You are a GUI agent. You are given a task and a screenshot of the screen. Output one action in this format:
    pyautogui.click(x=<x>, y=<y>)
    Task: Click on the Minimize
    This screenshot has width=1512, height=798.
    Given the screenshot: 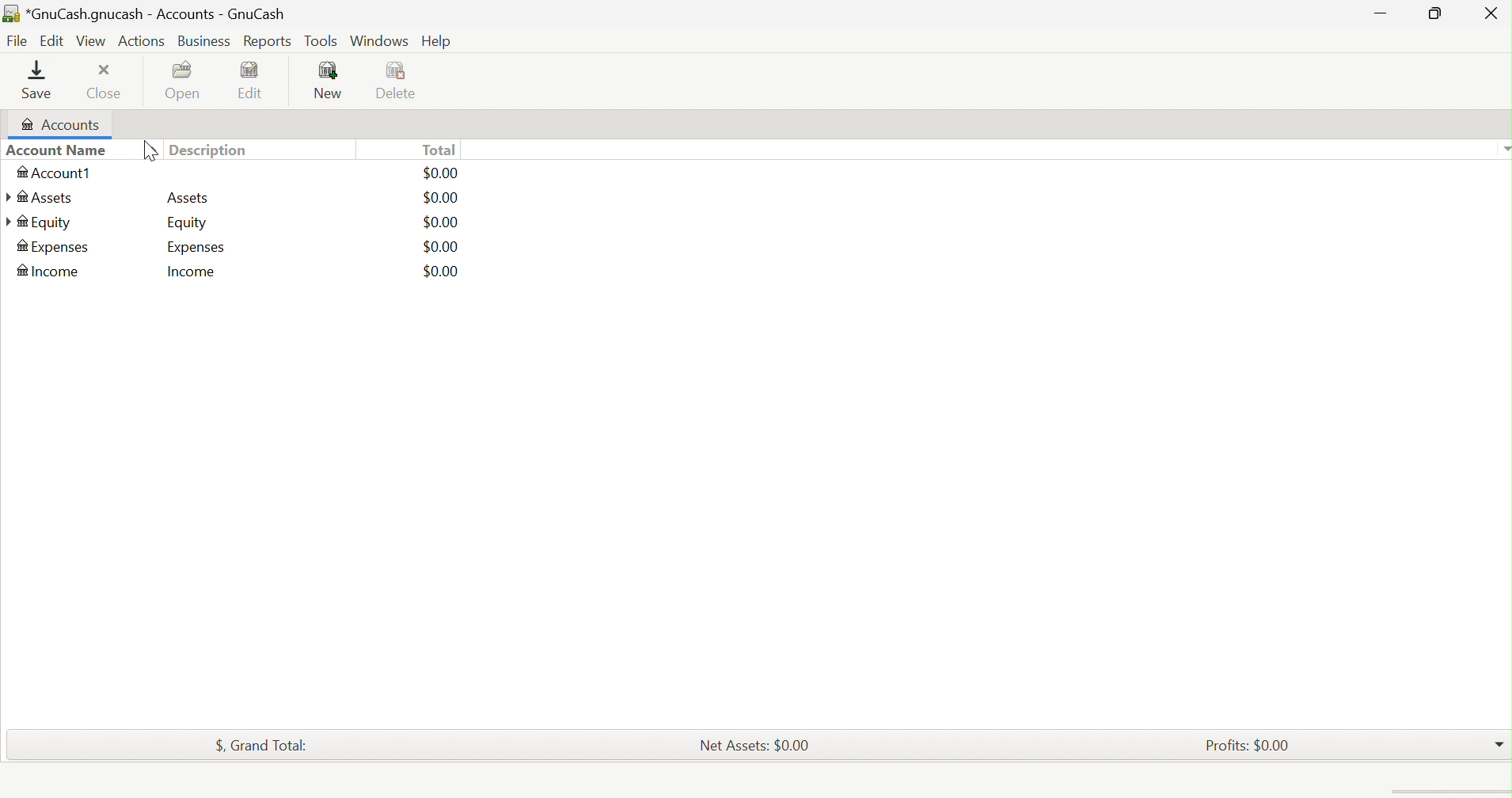 What is the action you would take?
    pyautogui.click(x=1382, y=11)
    